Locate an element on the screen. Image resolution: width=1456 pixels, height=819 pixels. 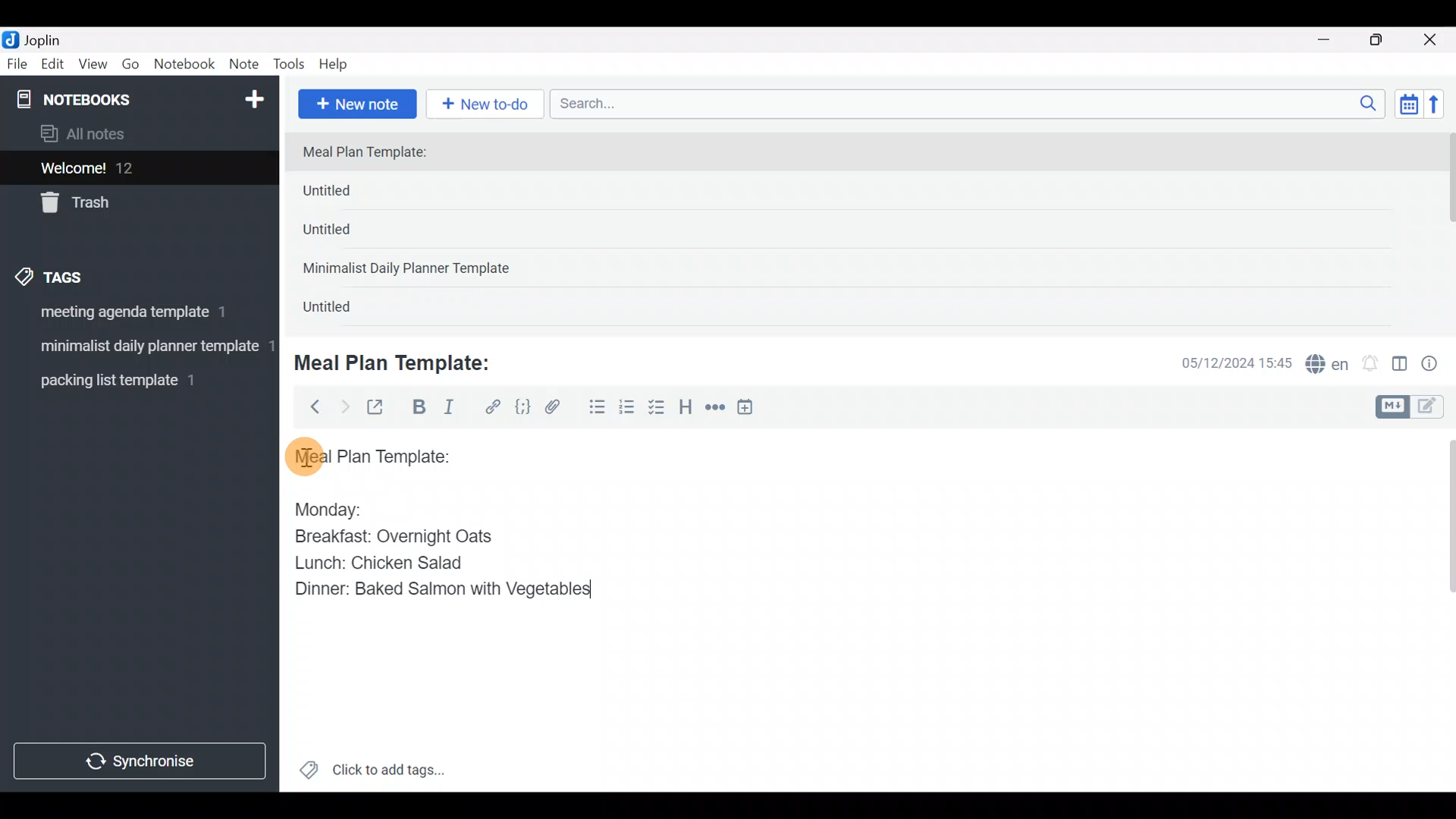
Toggle editors is located at coordinates (1414, 405).